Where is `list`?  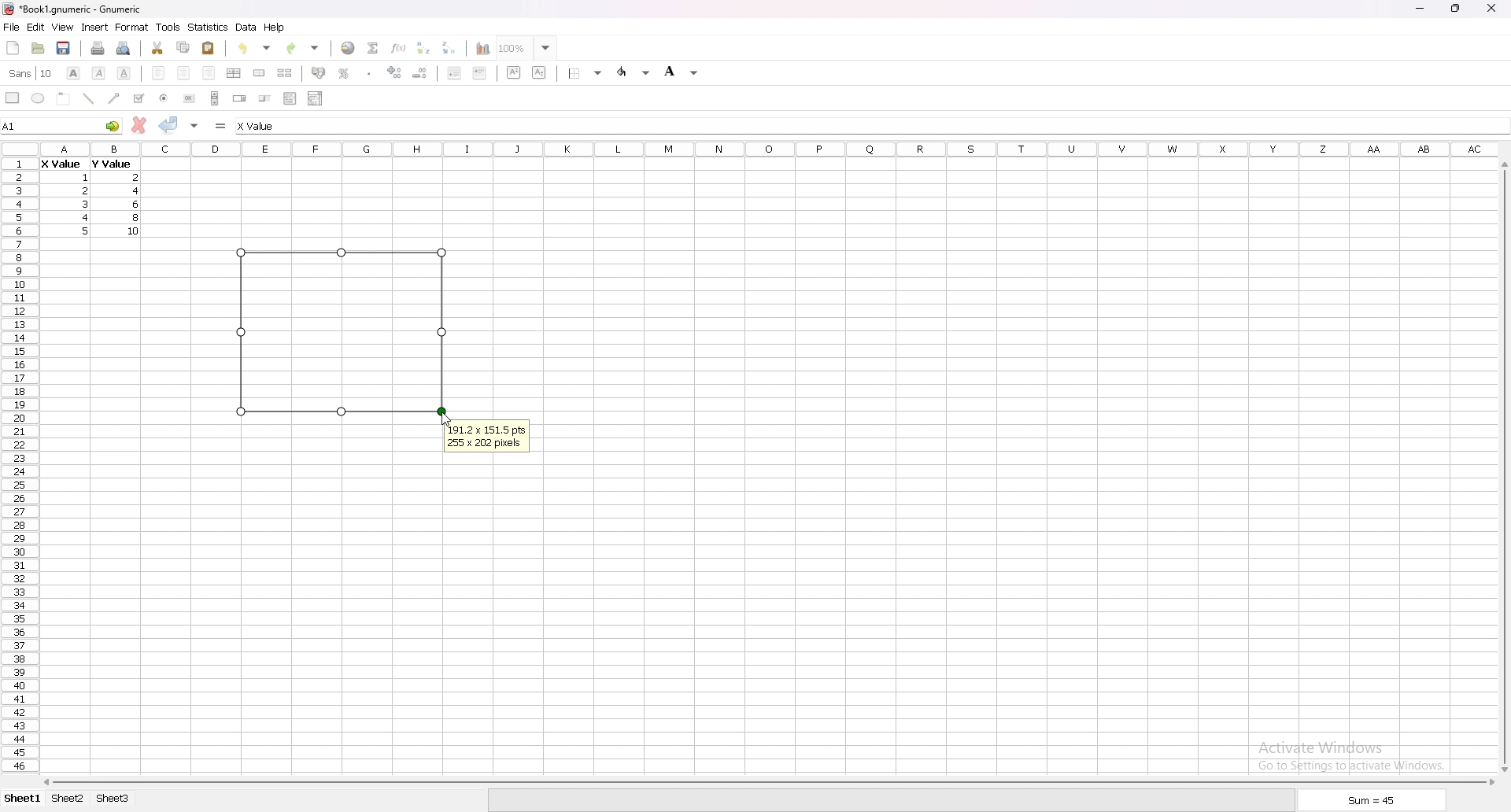 list is located at coordinates (290, 98).